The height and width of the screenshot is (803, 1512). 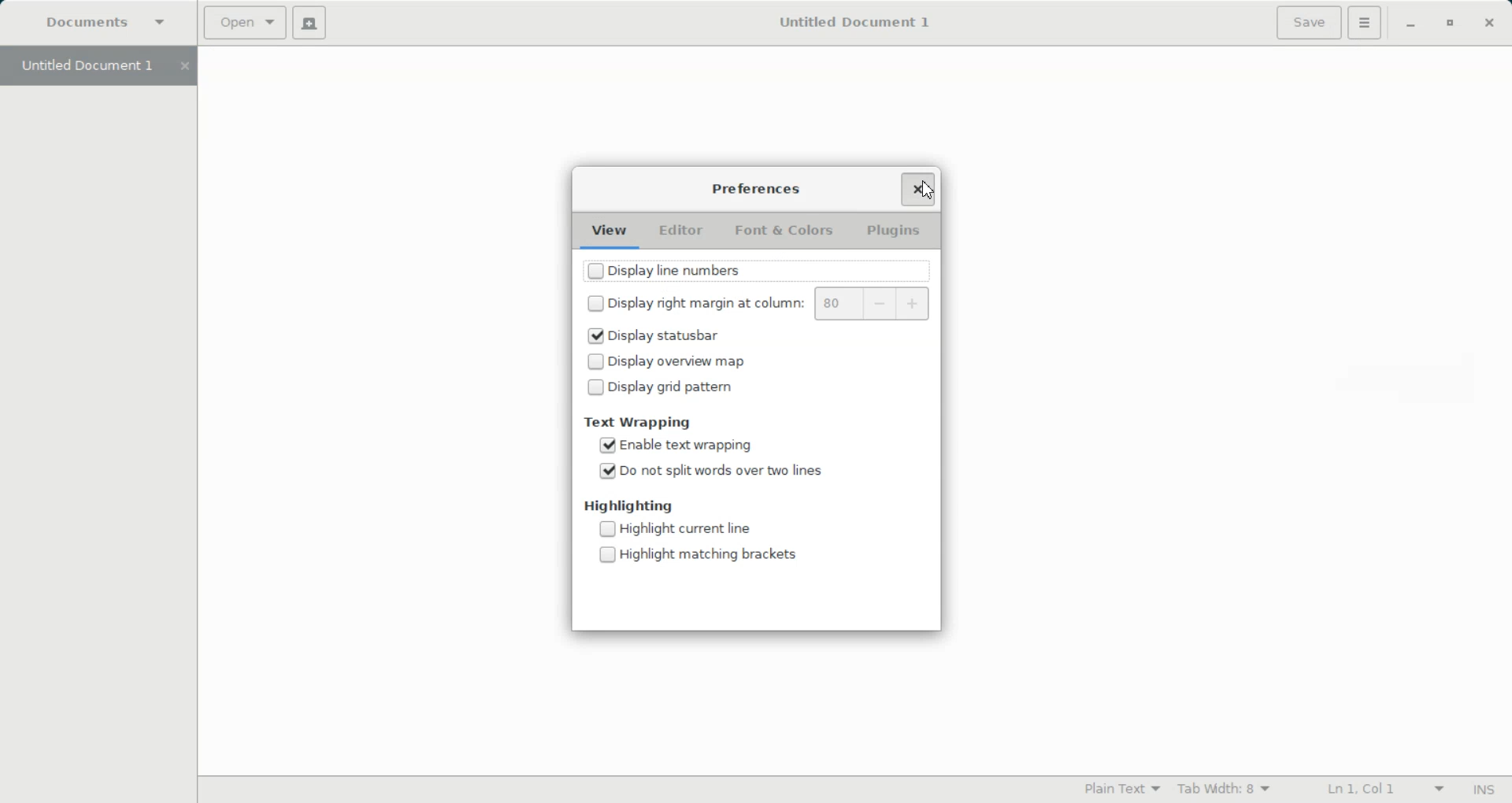 What do you see at coordinates (783, 232) in the screenshot?
I see `Font & Colors` at bounding box center [783, 232].